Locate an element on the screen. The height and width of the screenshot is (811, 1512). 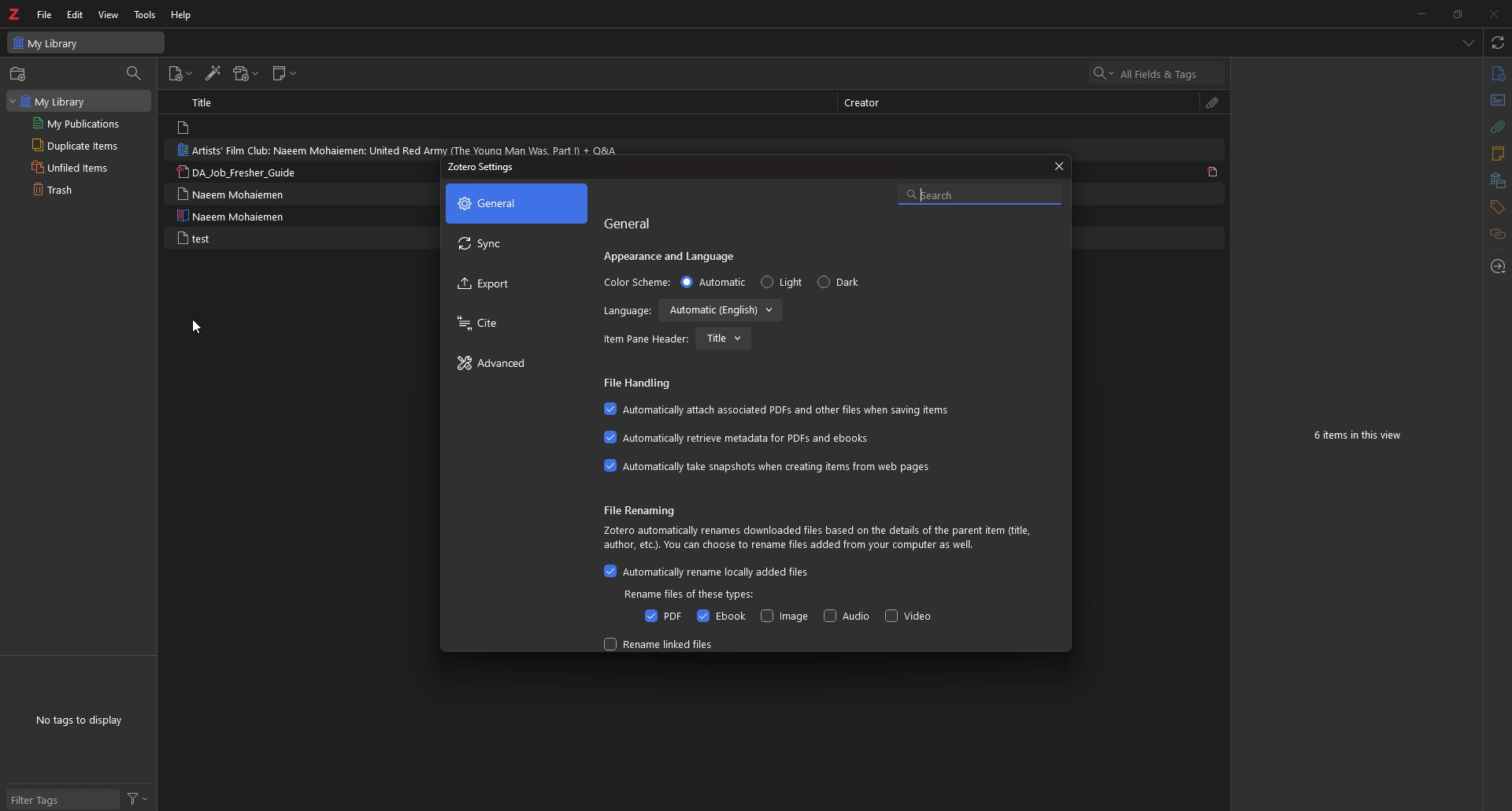
related is located at coordinates (1497, 235).